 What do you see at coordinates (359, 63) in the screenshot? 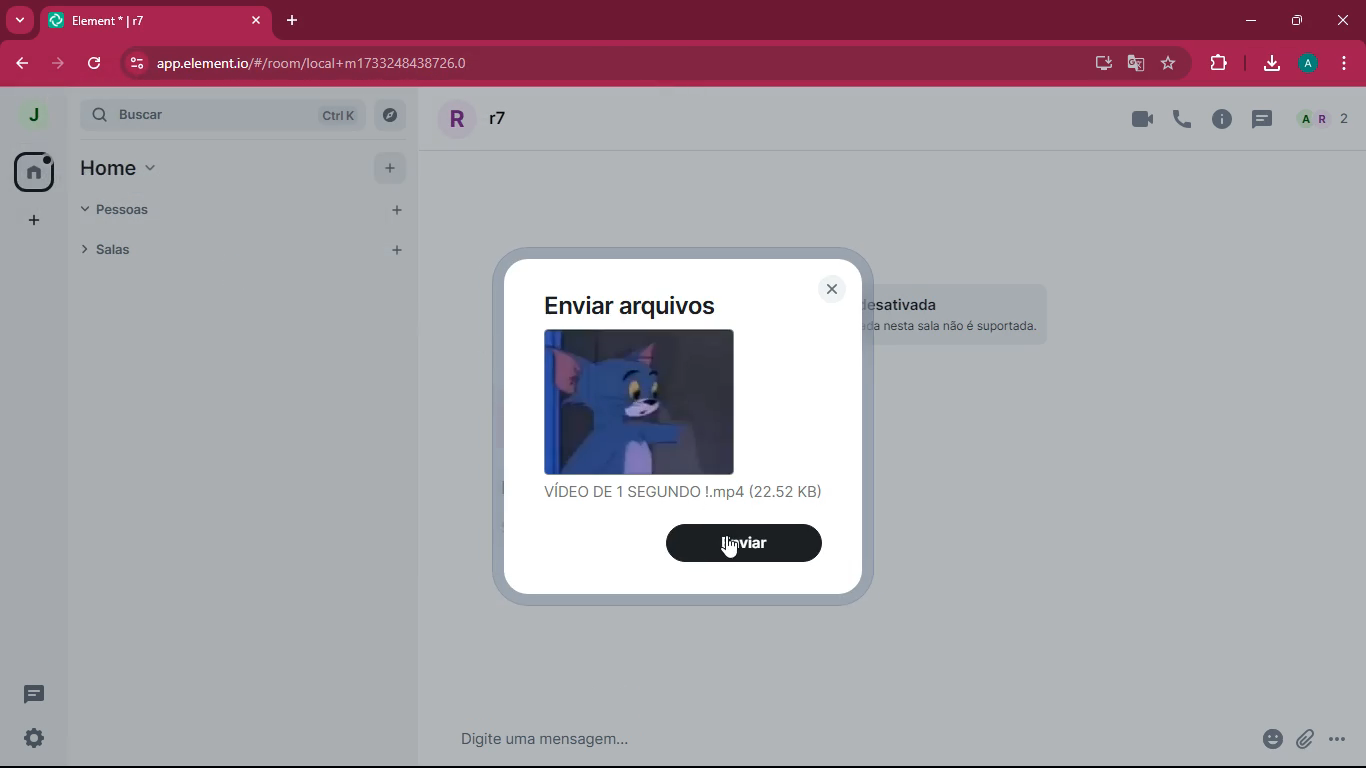
I see `app.element.io/#/room/local+m1733248438726.0` at bounding box center [359, 63].